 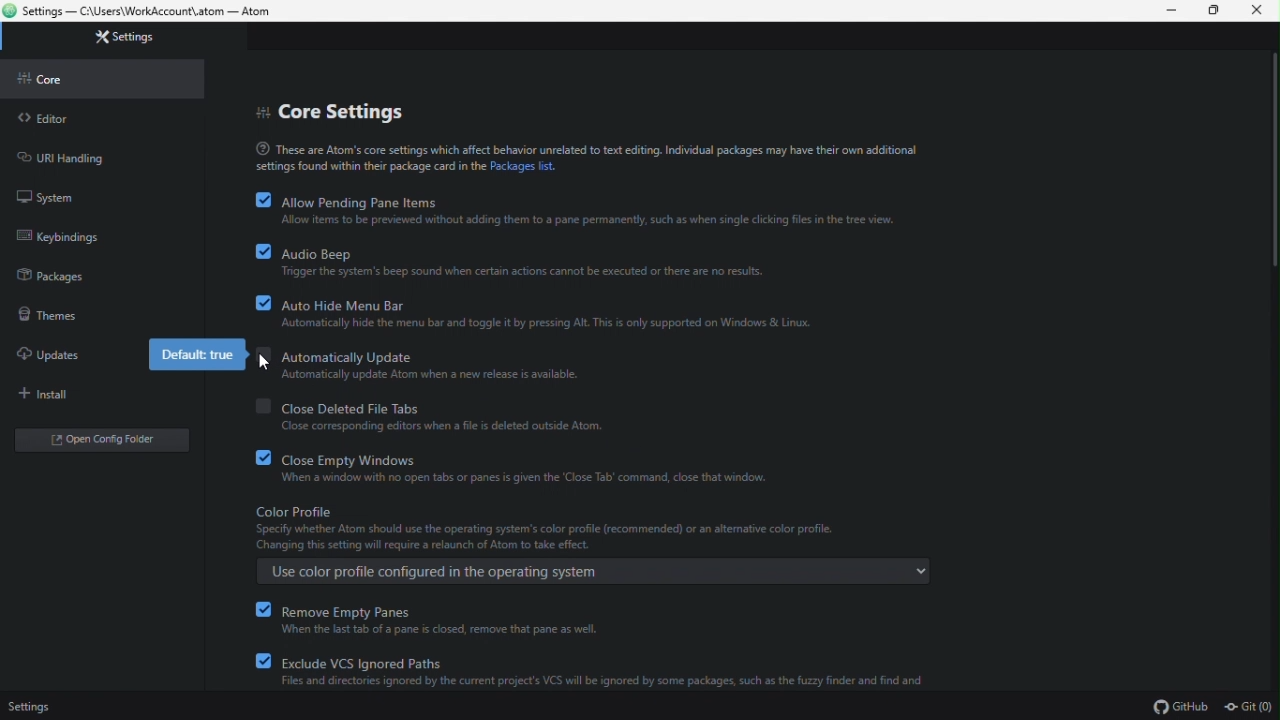 I want to click on Git (0), so click(x=1247, y=707).